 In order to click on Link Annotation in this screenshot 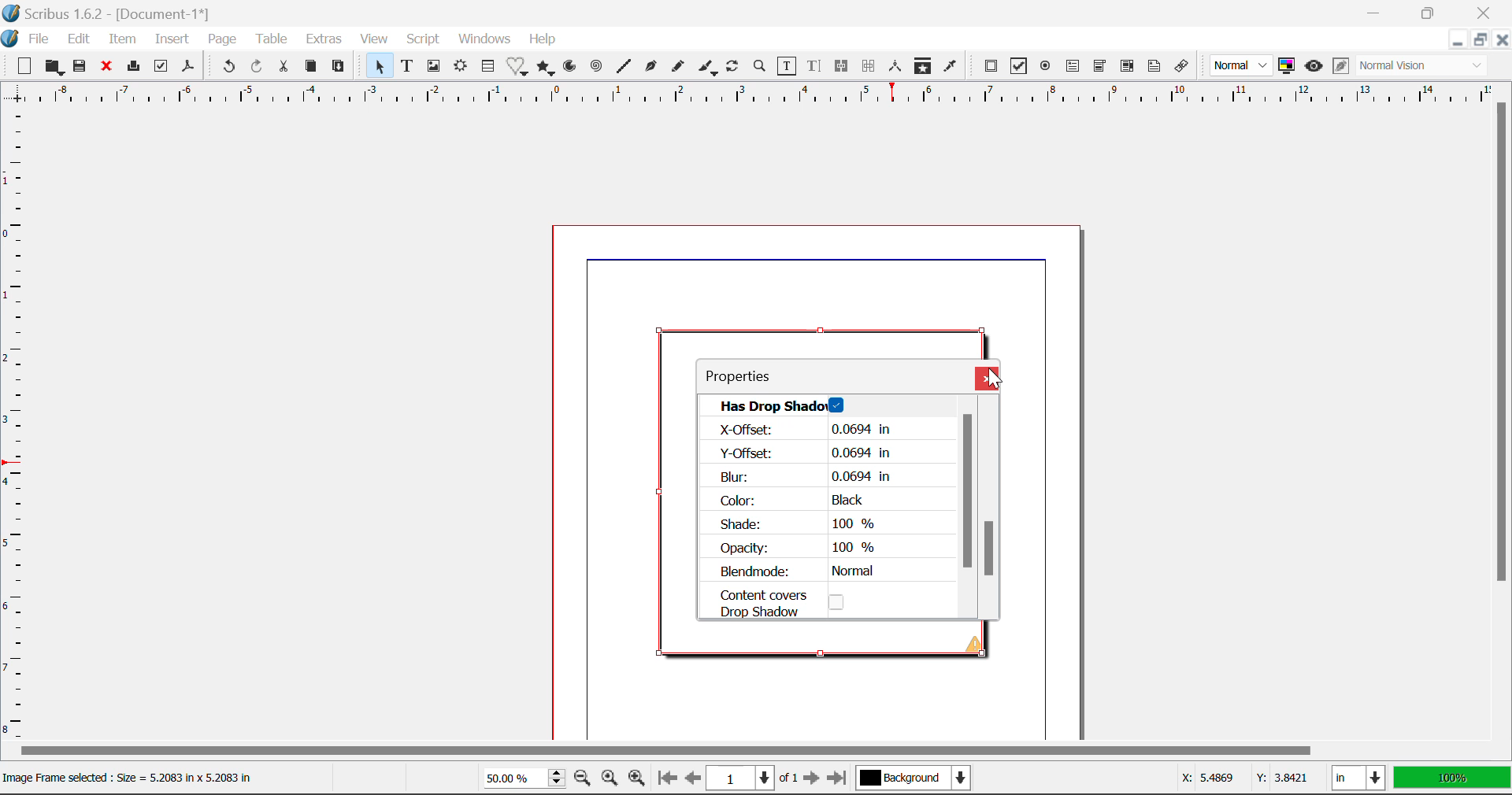, I will do `click(1184, 68)`.